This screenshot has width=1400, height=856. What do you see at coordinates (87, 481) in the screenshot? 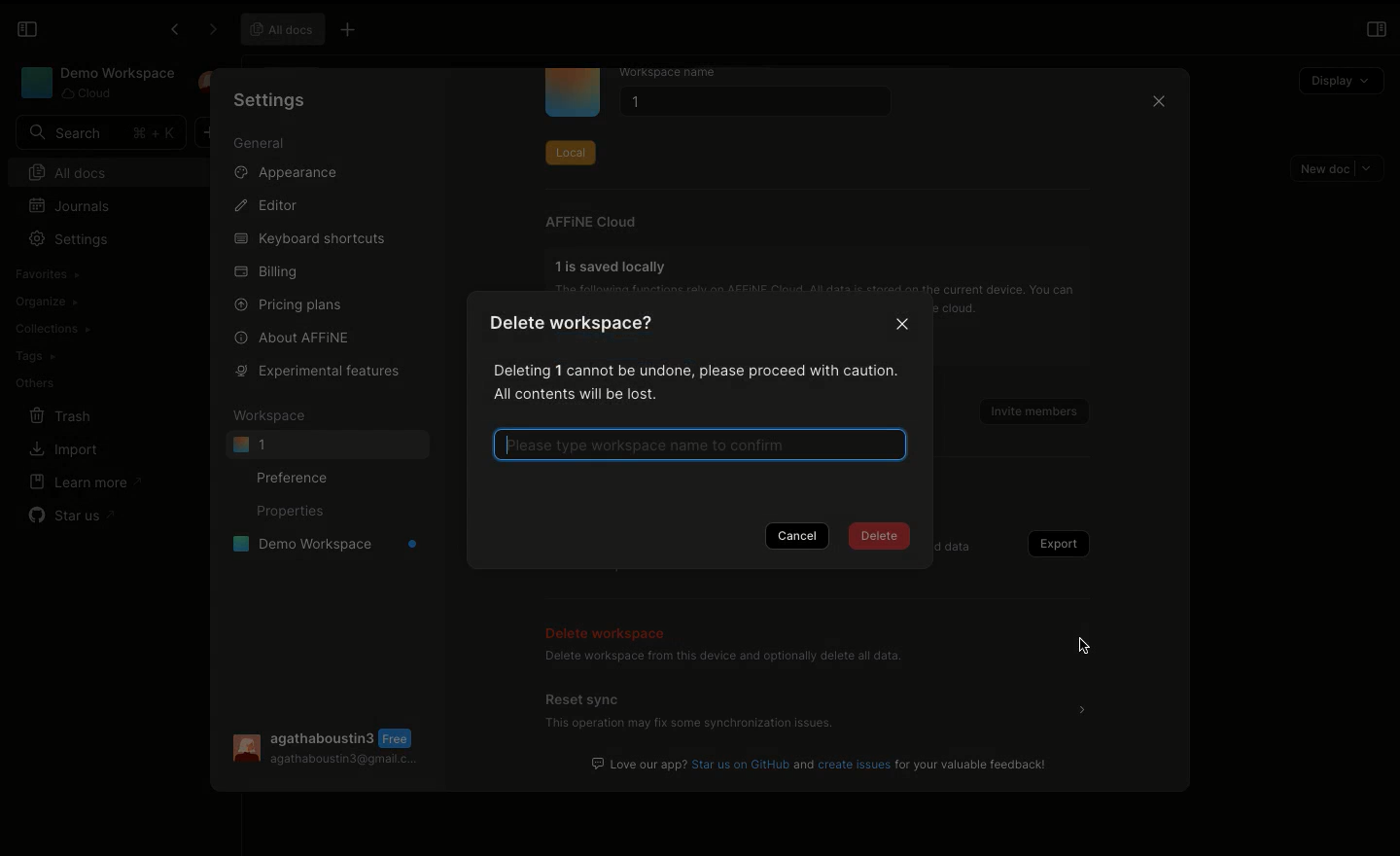
I see `Learn more` at bounding box center [87, 481].